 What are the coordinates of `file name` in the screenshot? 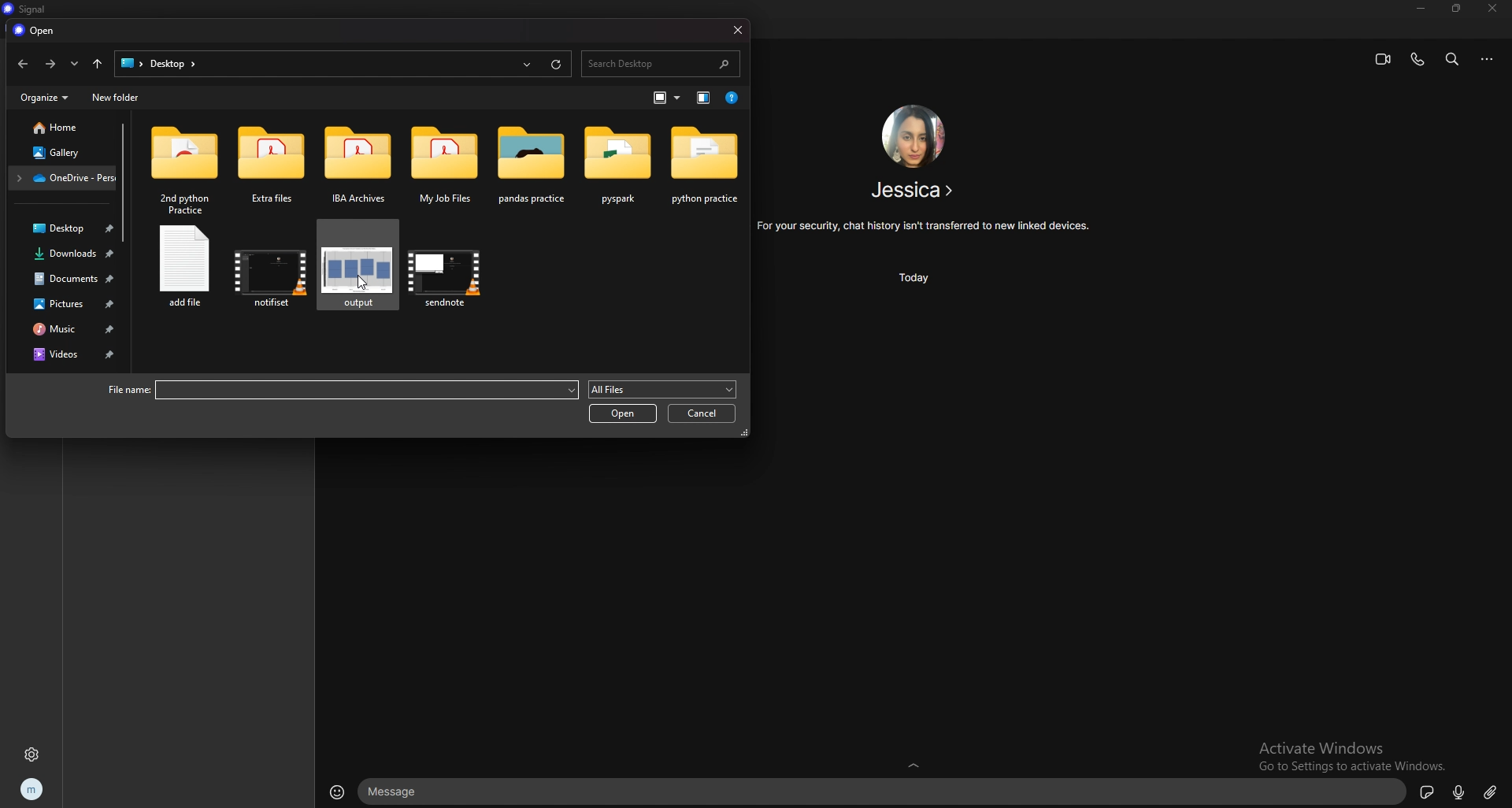 It's located at (341, 390).